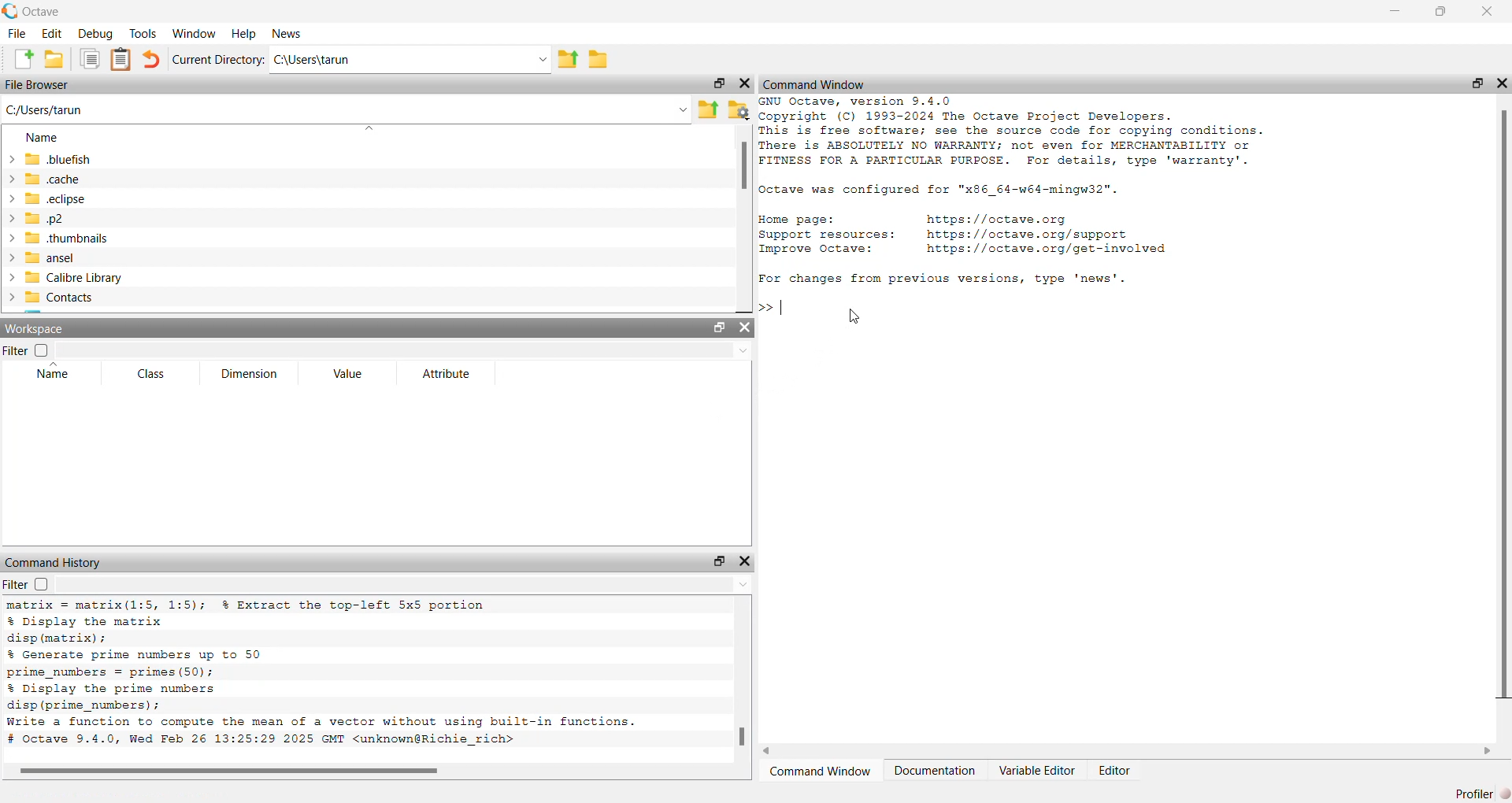 Image resolution: width=1512 pixels, height=803 pixels. Describe the element at coordinates (55, 562) in the screenshot. I see `Command history` at that location.